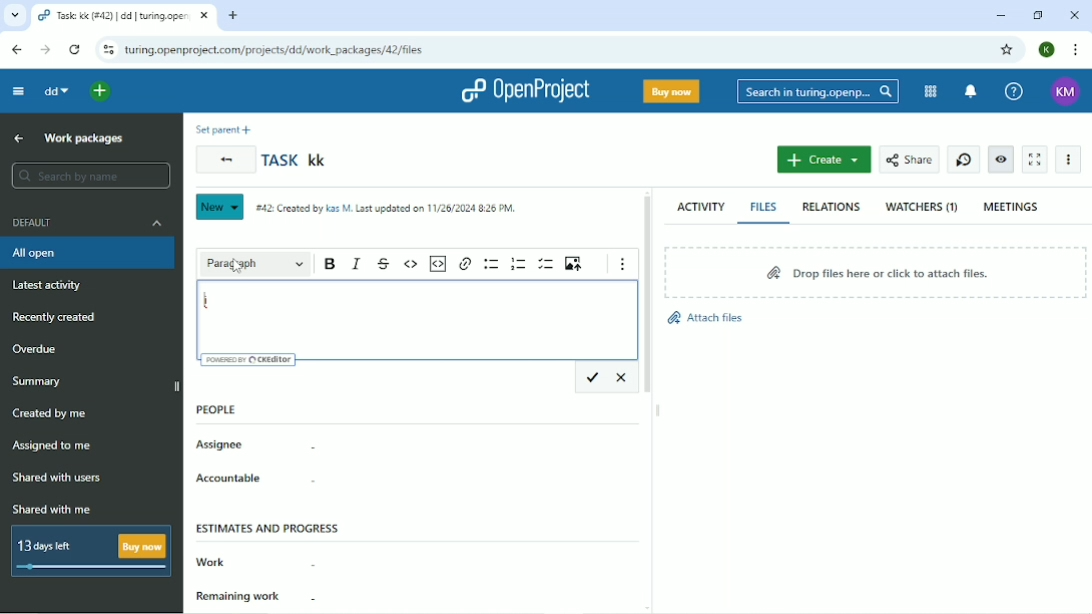  What do you see at coordinates (90, 175) in the screenshot?
I see `Search by name` at bounding box center [90, 175].